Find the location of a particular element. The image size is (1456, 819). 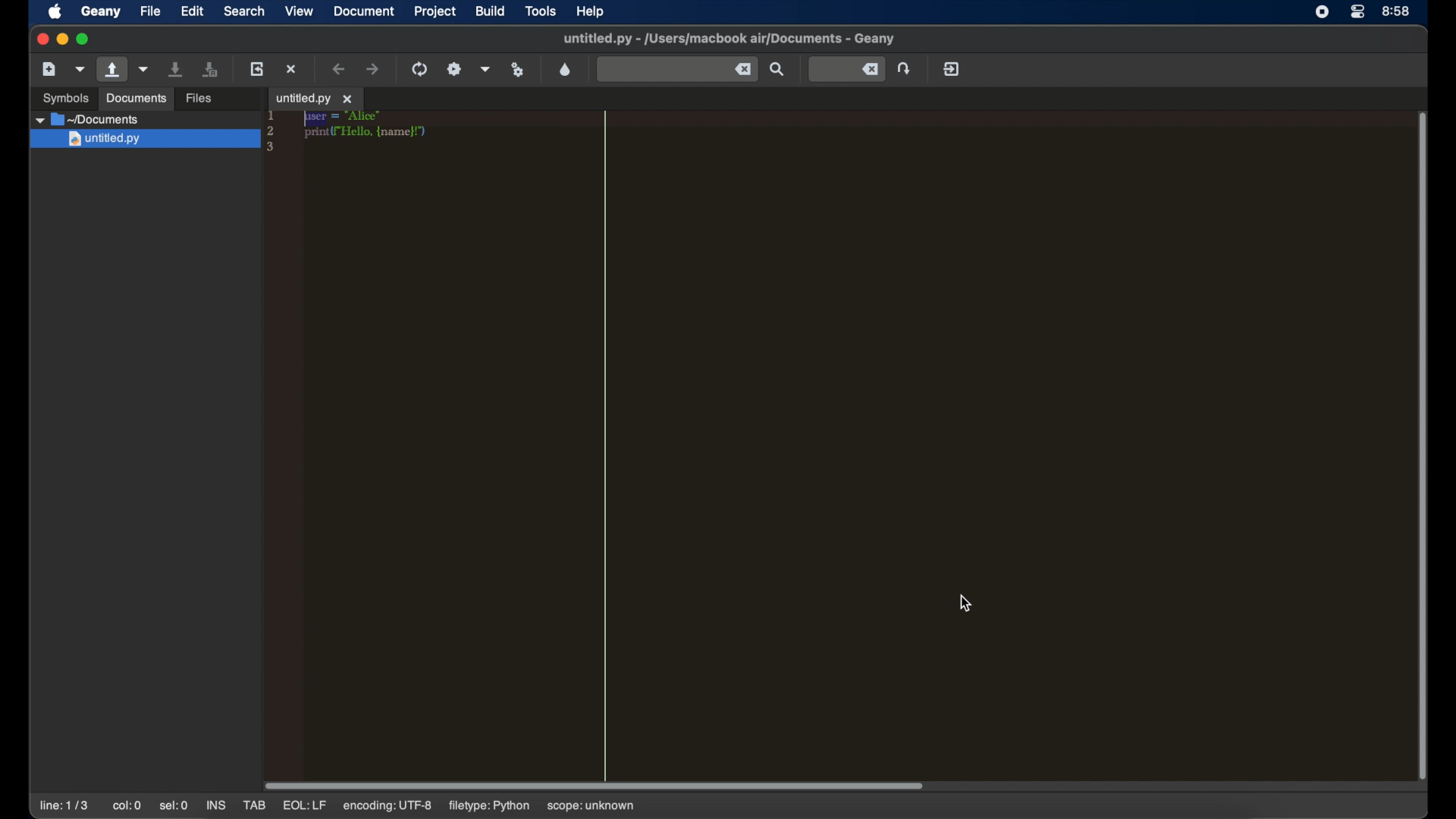

symbols is located at coordinates (64, 99).